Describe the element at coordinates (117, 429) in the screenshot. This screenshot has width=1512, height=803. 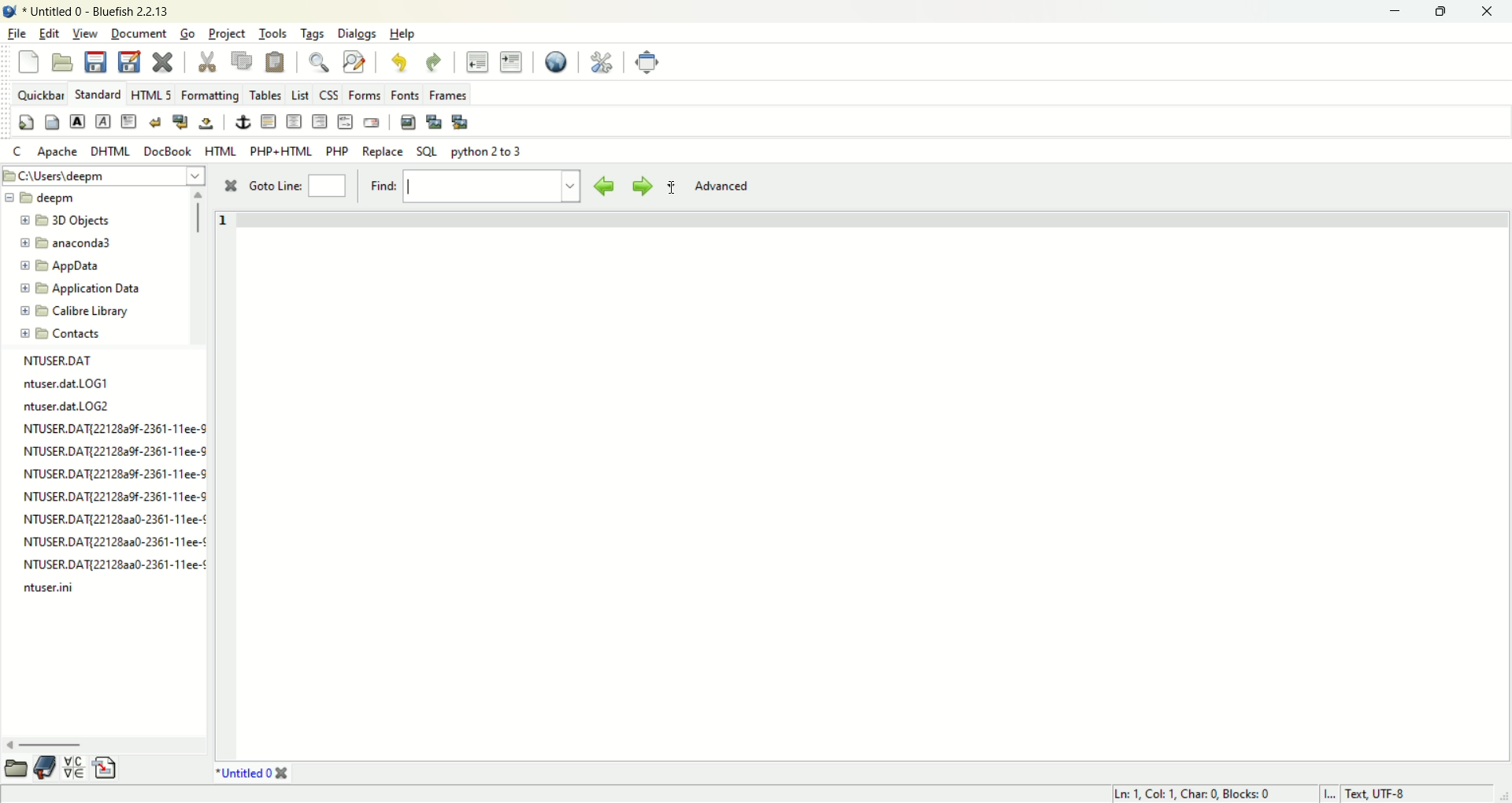
I see `NTUSER.DAT{2212829f-2361-11ee-9` at that location.